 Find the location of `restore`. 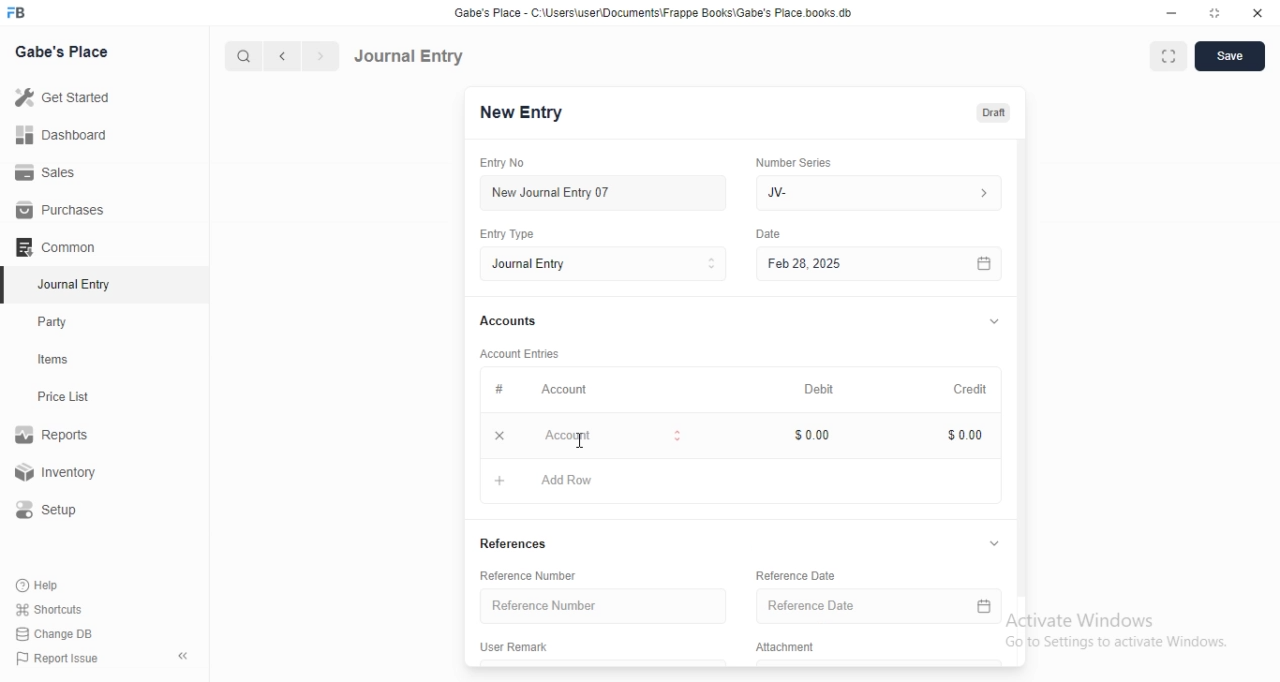

restore is located at coordinates (1213, 12).